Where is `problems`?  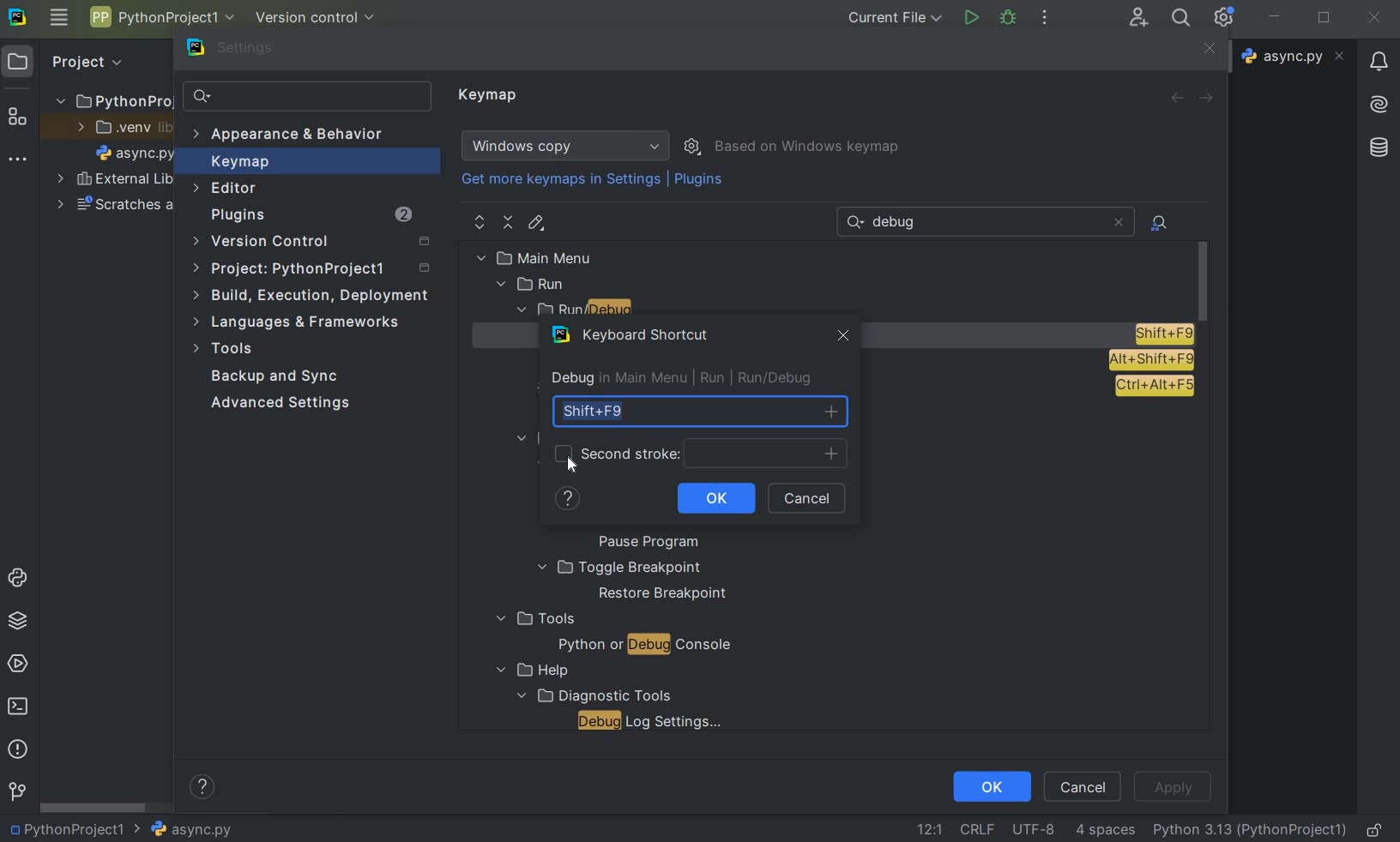
problems is located at coordinates (16, 748).